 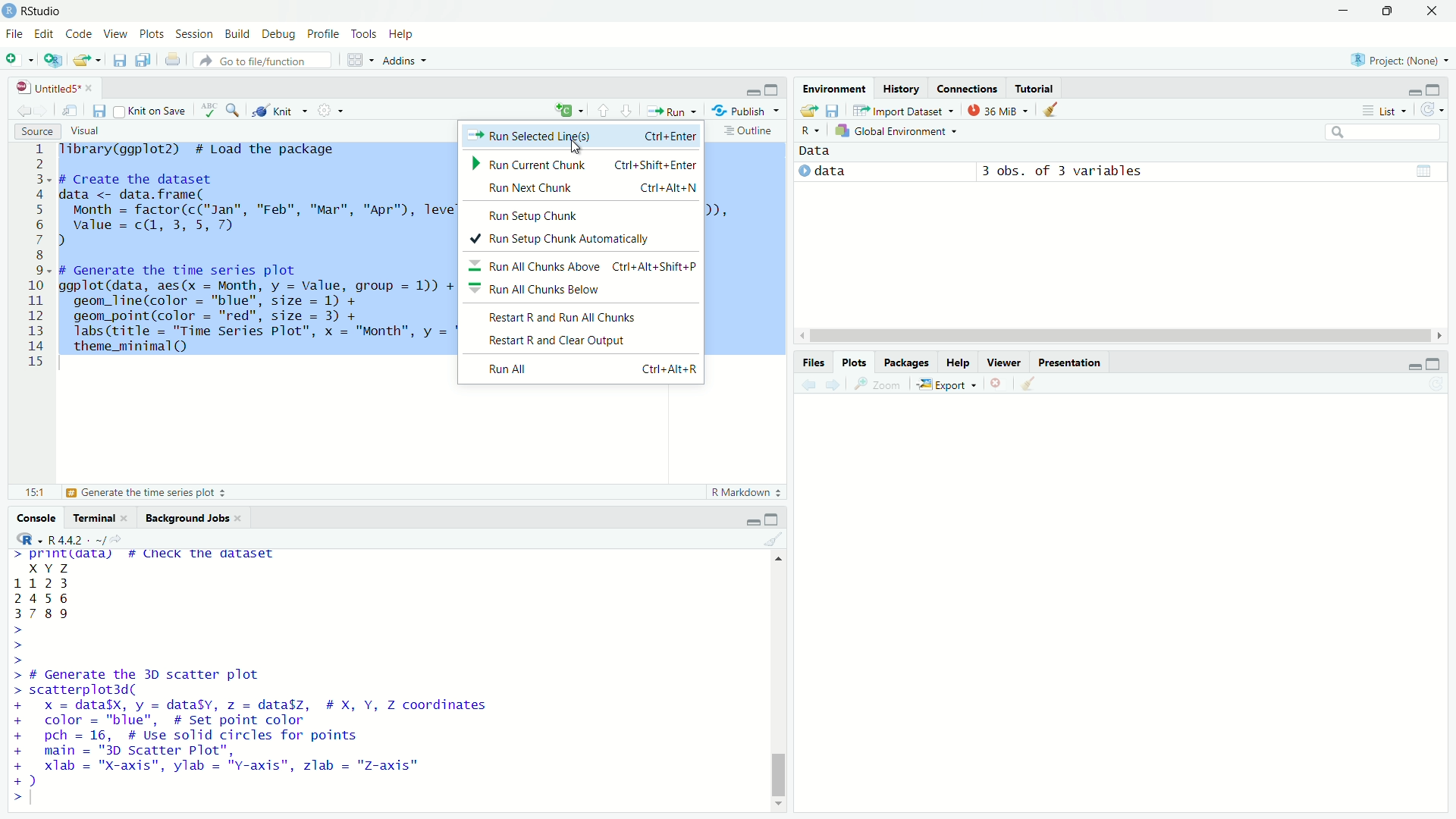 I want to click on new file, so click(x=19, y=59).